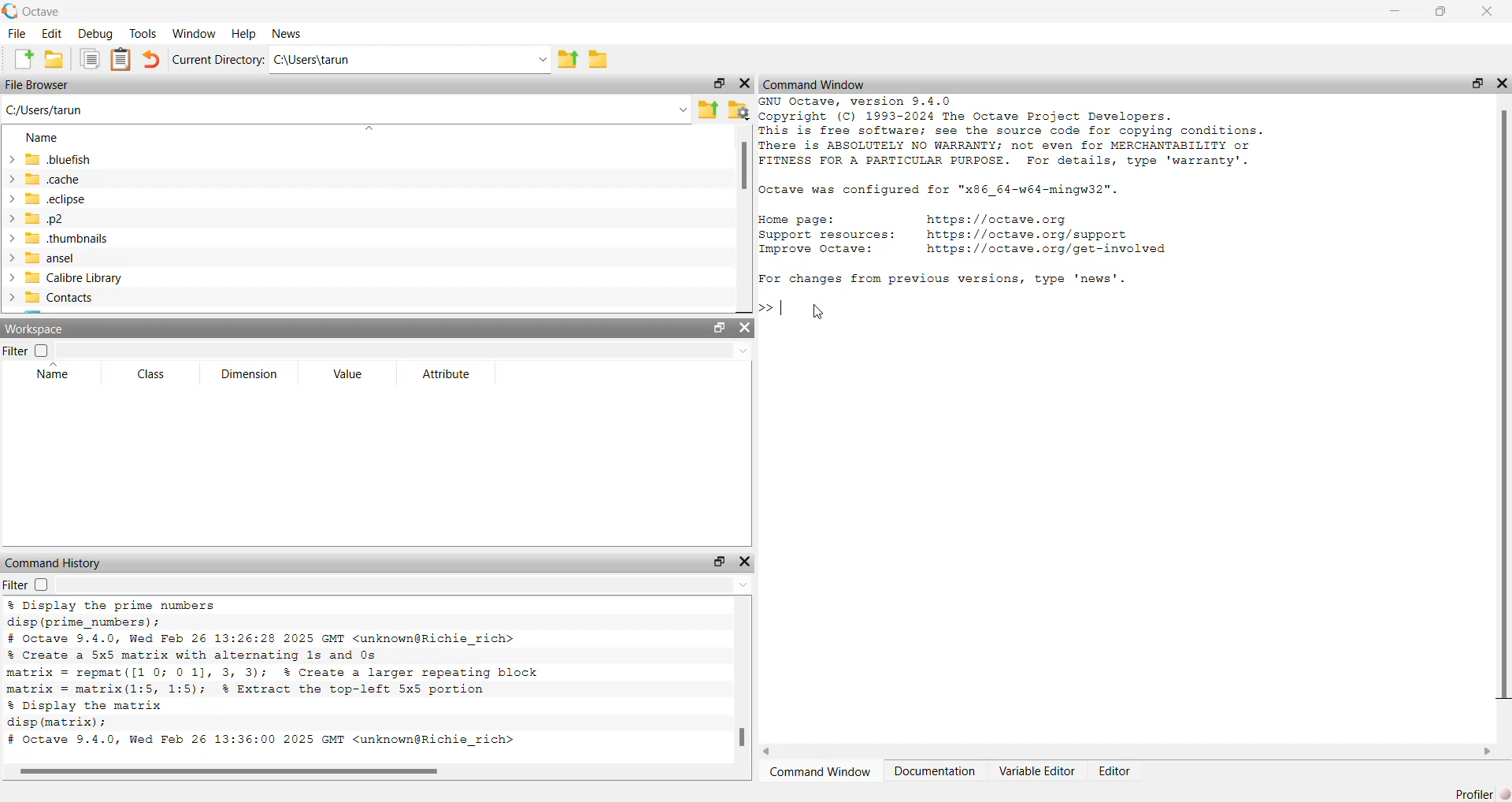  What do you see at coordinates (746, 84) in the screenshot?
I see `hide widget` at bounding box center [746, 84].